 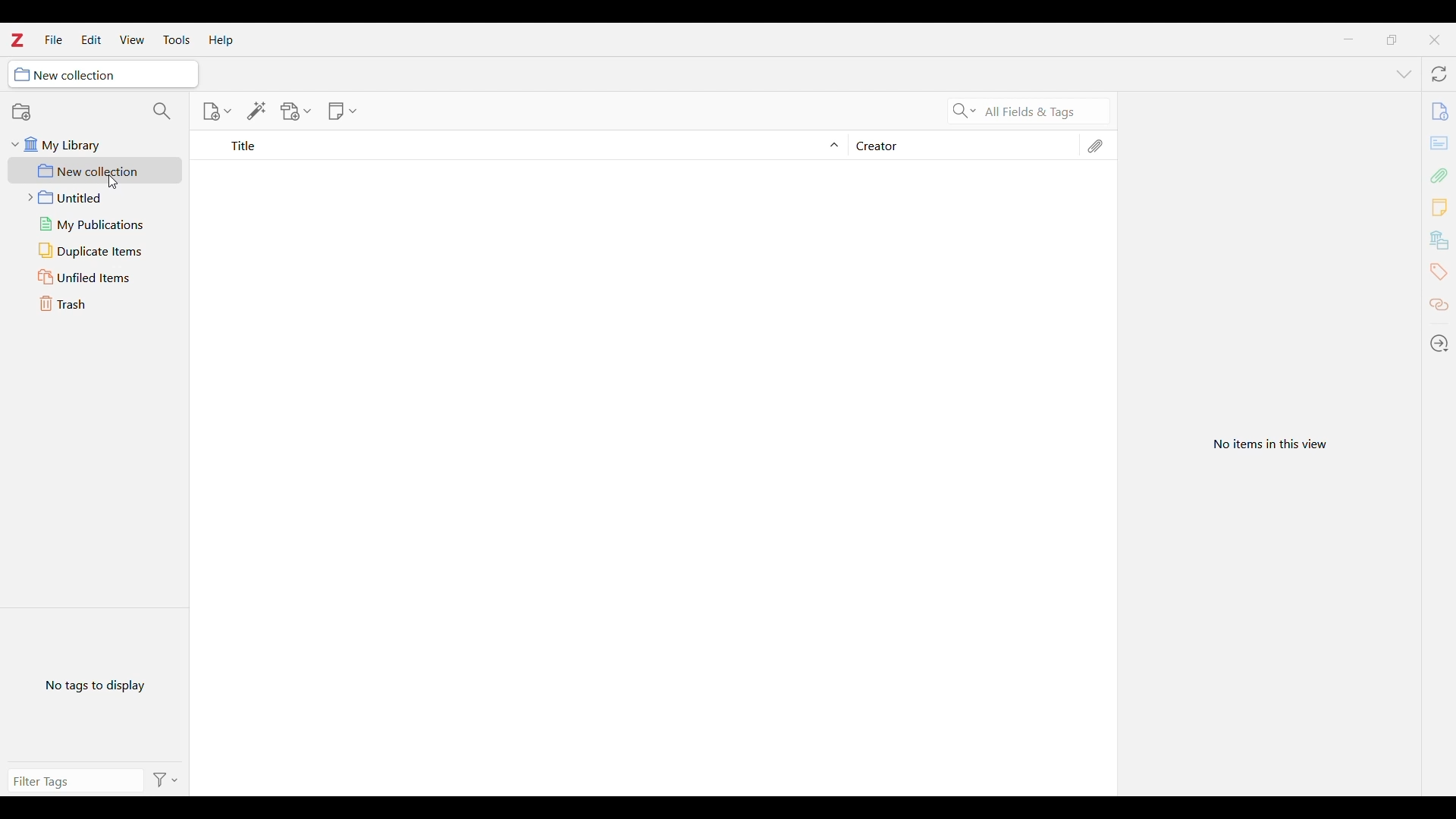 What do you see at coordinates (75, 781) in the screenshot?
I see `Type filter tag` at bounding box center [75, 781].